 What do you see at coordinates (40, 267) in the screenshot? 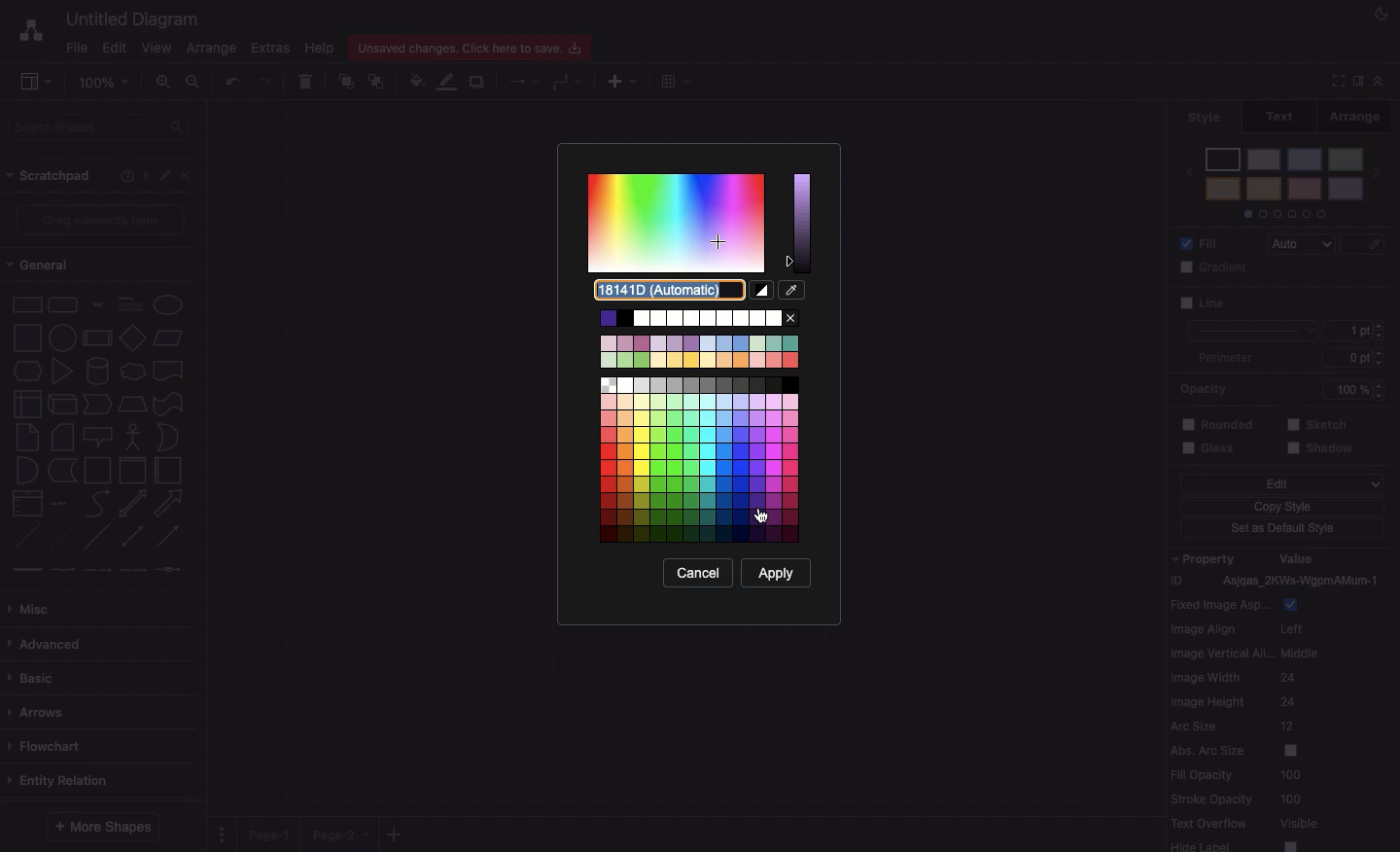
I see `General` at bounding box center [40, 267].